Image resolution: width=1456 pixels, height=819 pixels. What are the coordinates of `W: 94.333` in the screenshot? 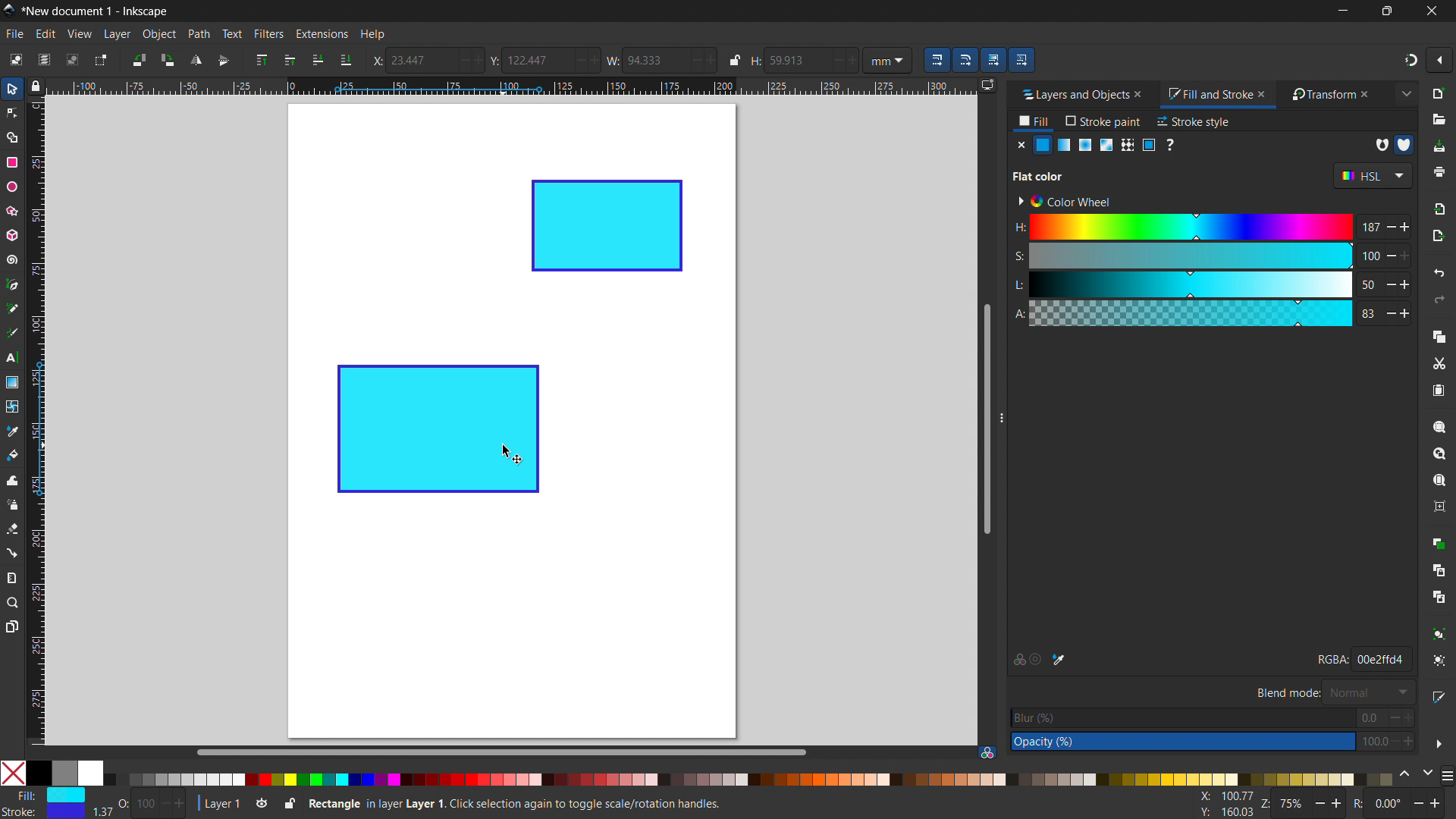 It's located at (643, 59).